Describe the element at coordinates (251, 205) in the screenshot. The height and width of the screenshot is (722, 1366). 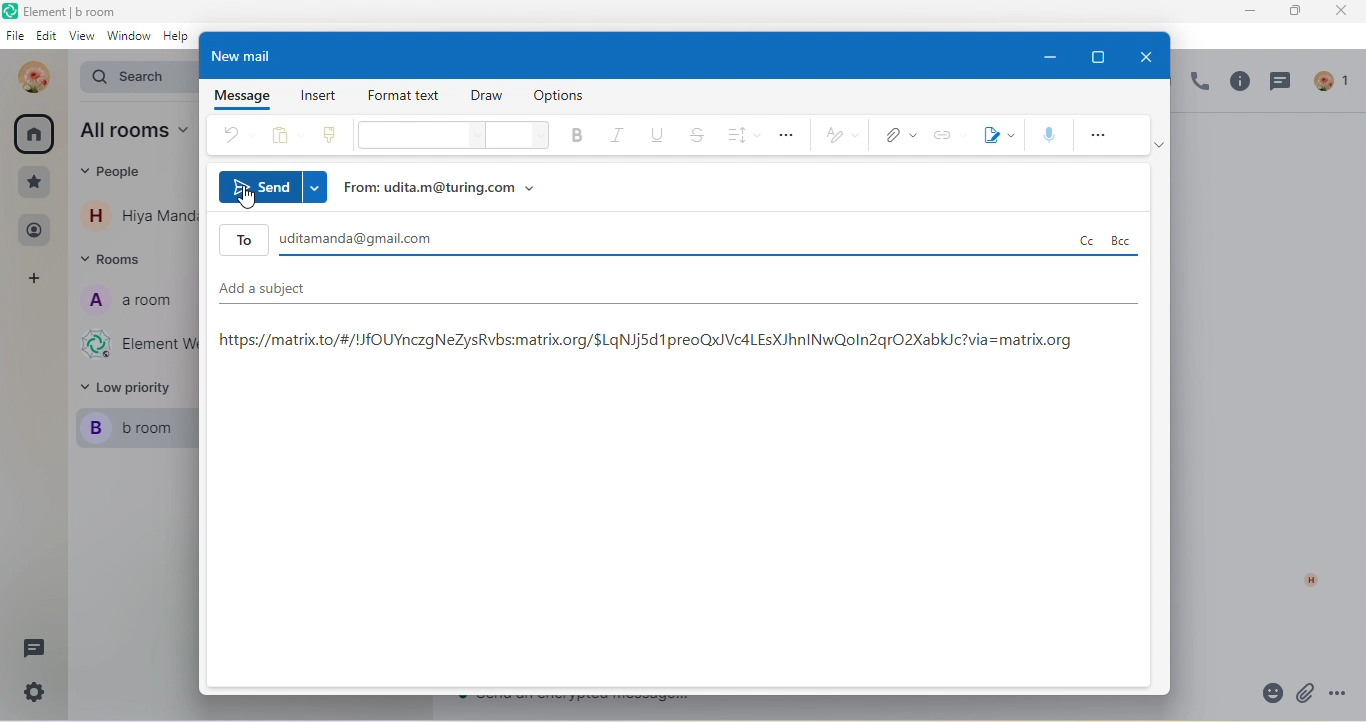
I see `insertion cursor` at that location.